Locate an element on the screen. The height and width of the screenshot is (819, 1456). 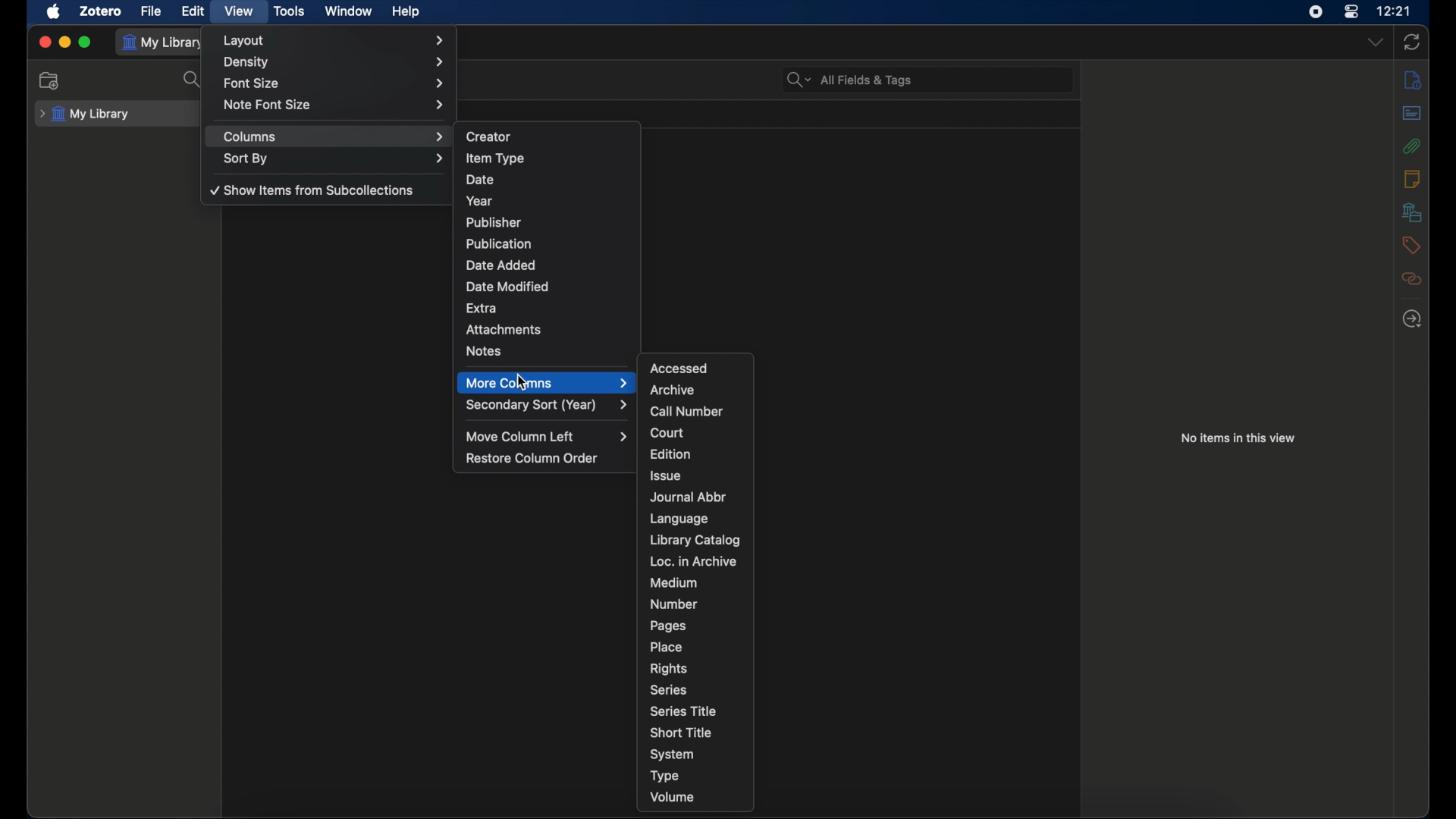
apple is located at coordinates (54, 11).